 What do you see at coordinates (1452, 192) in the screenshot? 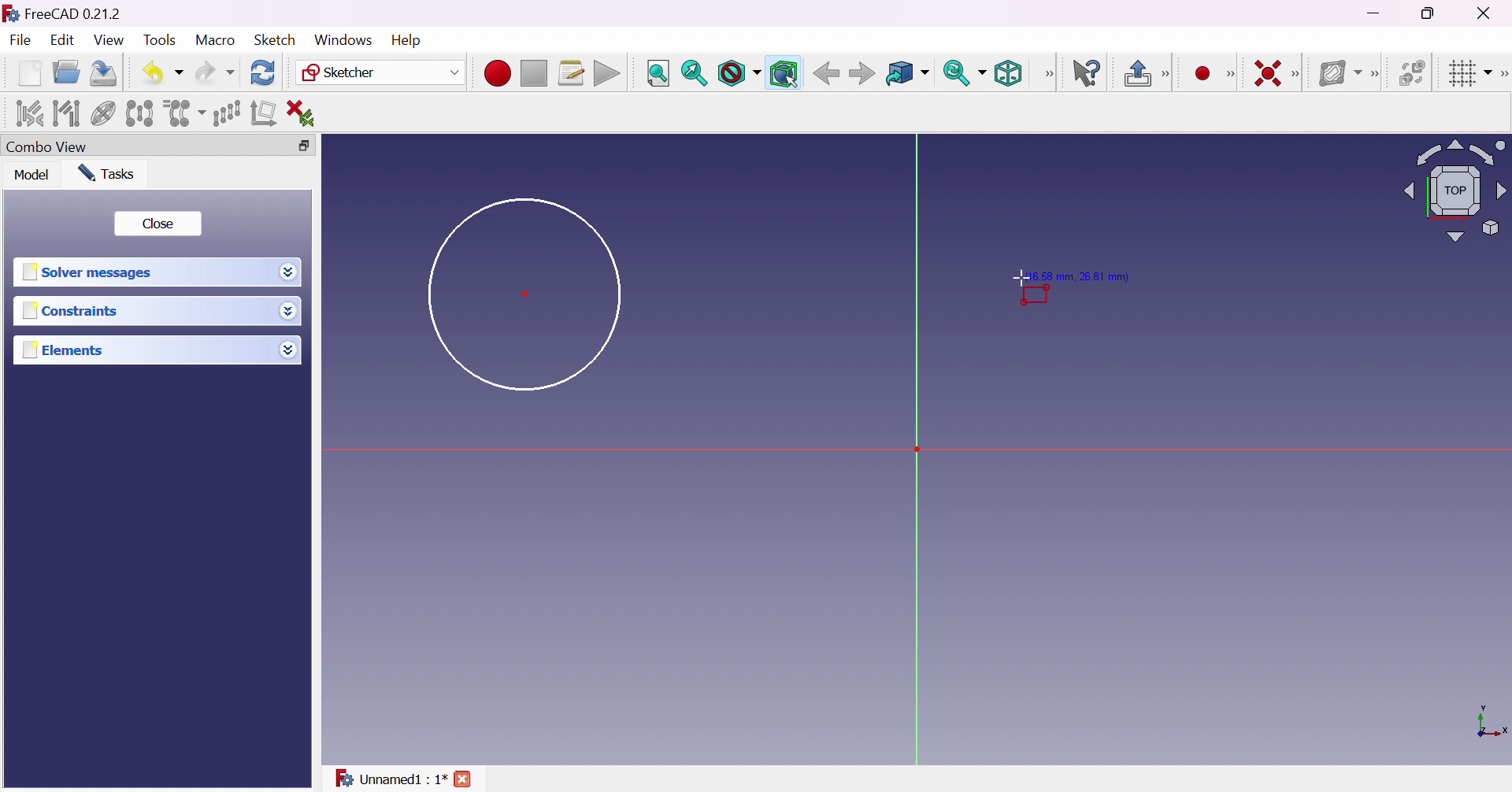
I see `Viewing angle` at bounding box center [1452, 192].